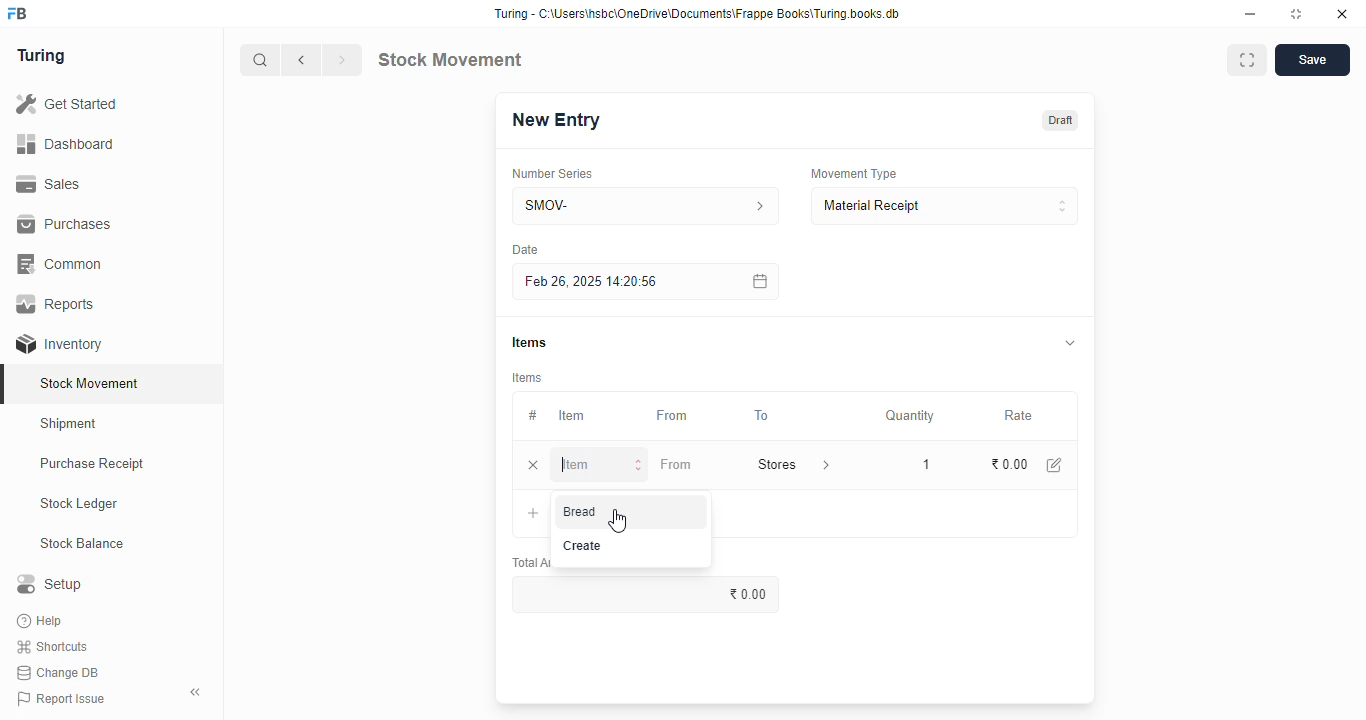  What do you see at coordinates (64, 224) in the screenshot?
I see `purchases` at bounding box center [64, 224].